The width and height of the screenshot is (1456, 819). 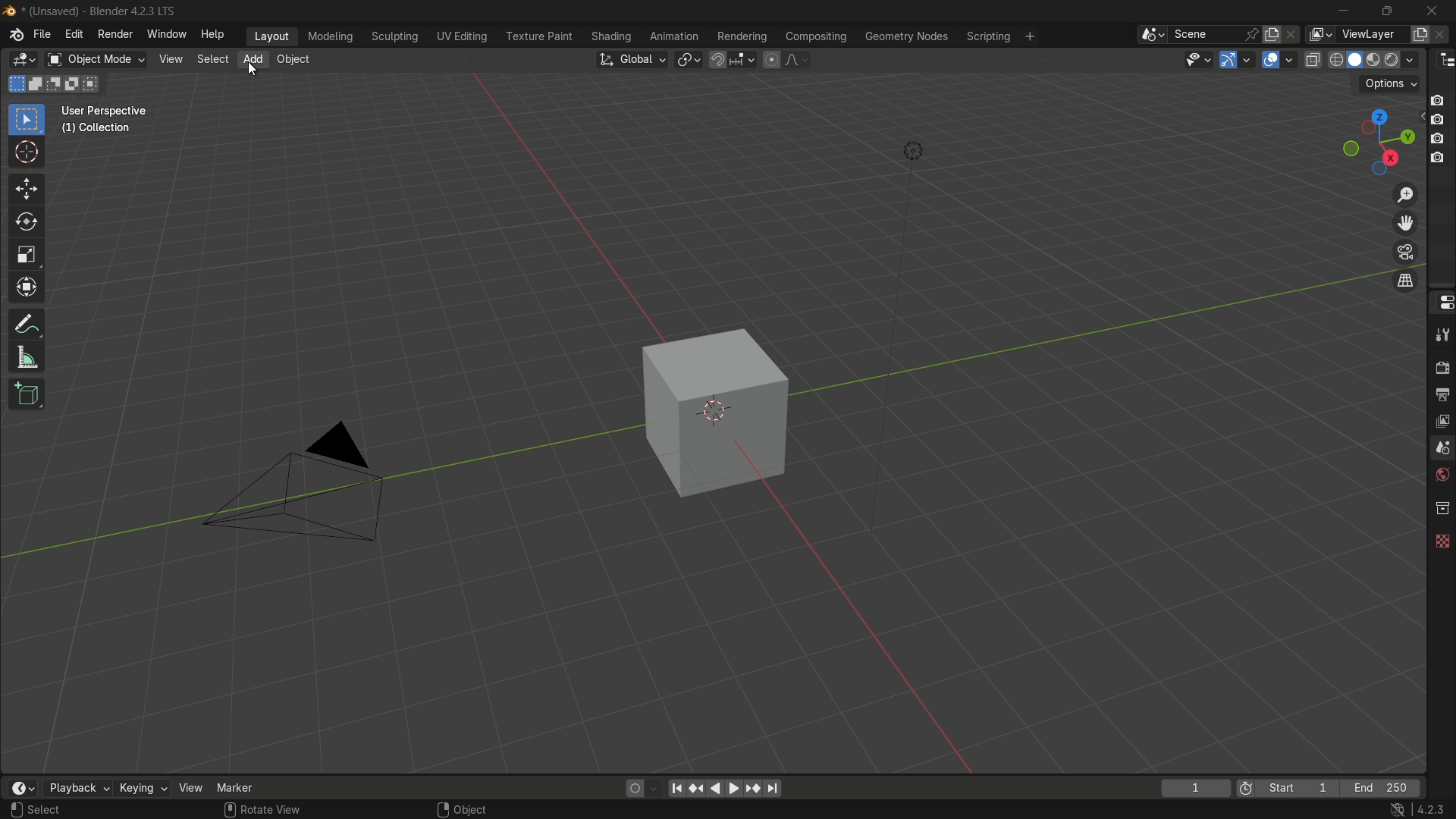 What do you see at coordinates (27, 358) in the screenshot?
I see `measure` at bounding box center [27, 358].